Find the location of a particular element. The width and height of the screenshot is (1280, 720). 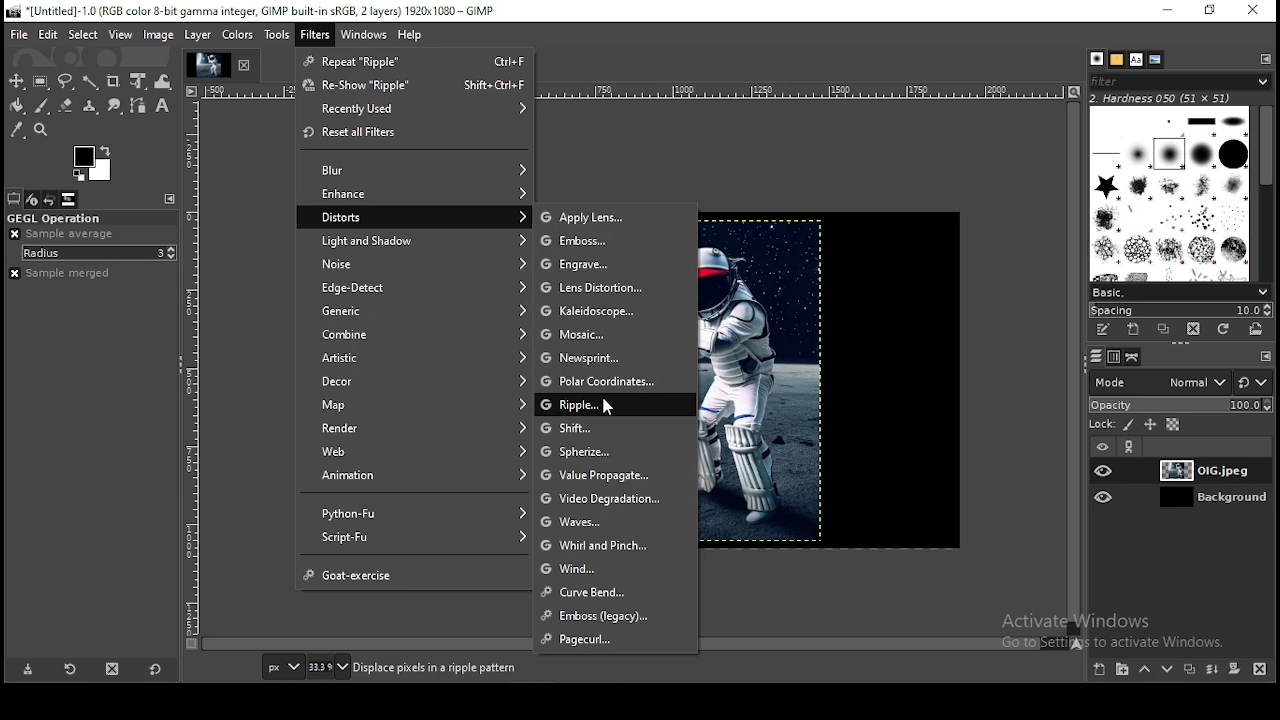

enhance is located at coordinates (424, 193).